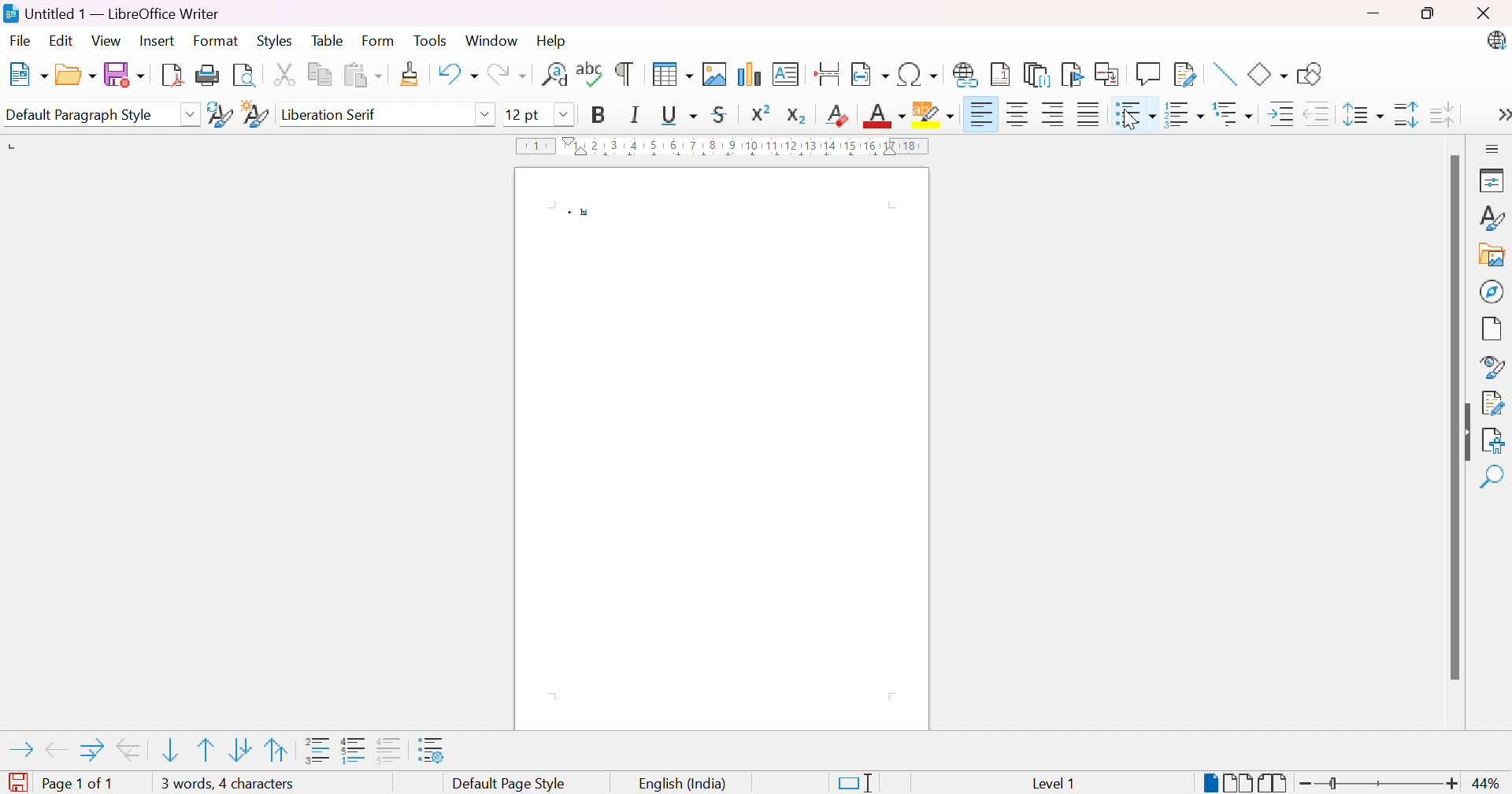 The image size is (1512, 794). I want to click on Minimize, so click(1373, 11).